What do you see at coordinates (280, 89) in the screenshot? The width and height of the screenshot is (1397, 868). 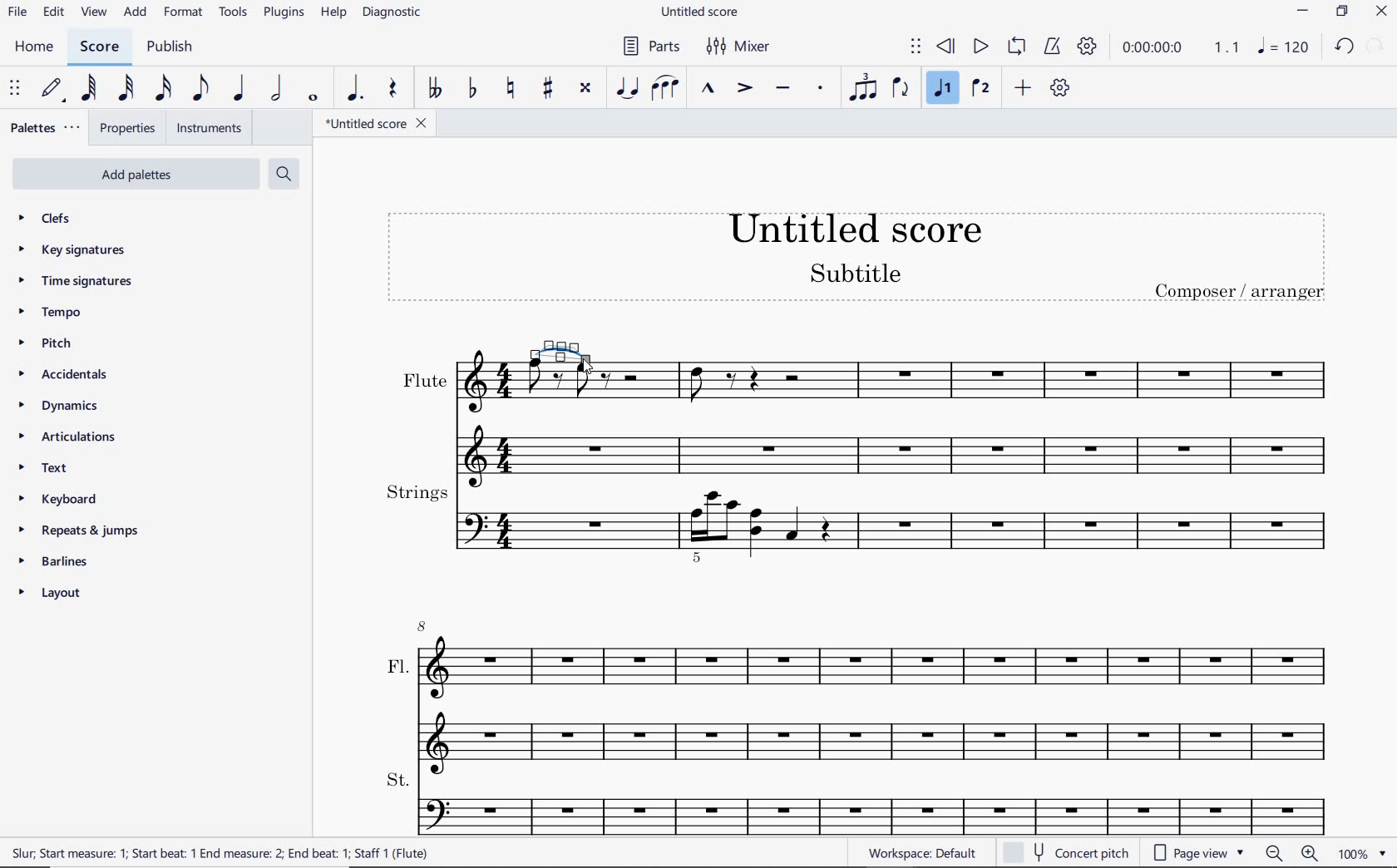 I see `HALF NOTE` at bounding box center [280, 89].